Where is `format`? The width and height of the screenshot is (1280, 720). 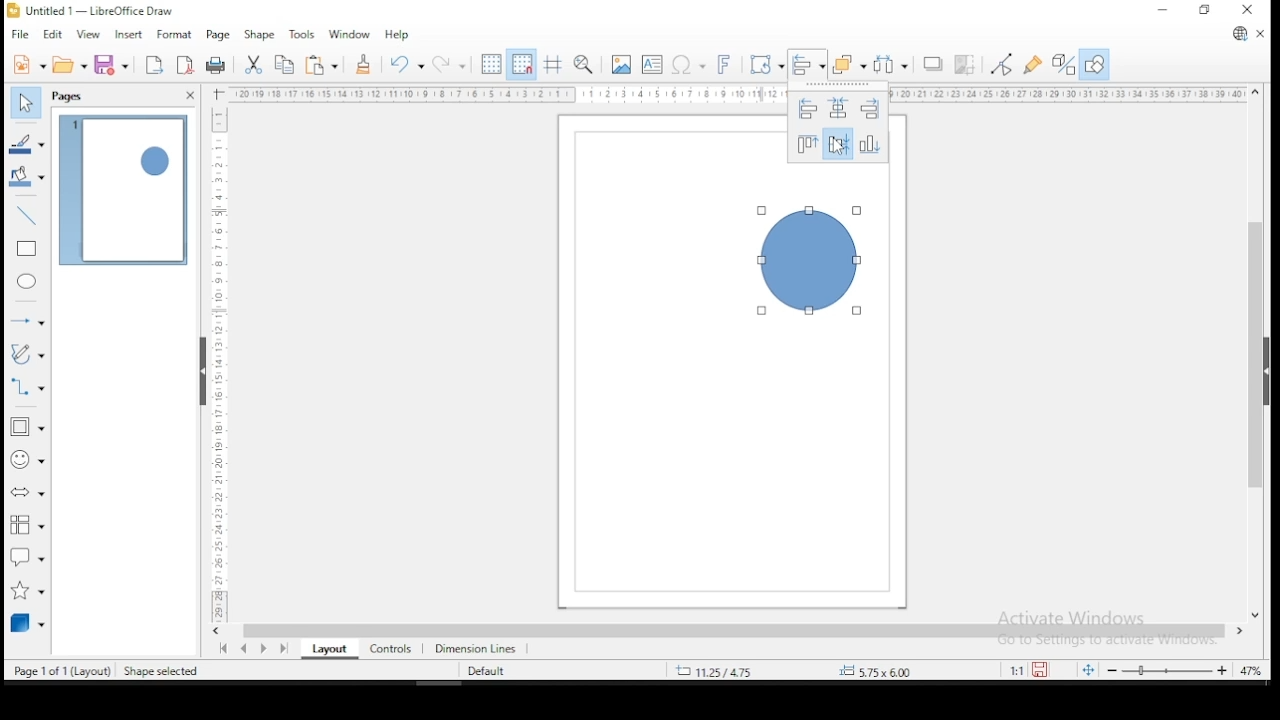
format is located at coordinates (172, 32).